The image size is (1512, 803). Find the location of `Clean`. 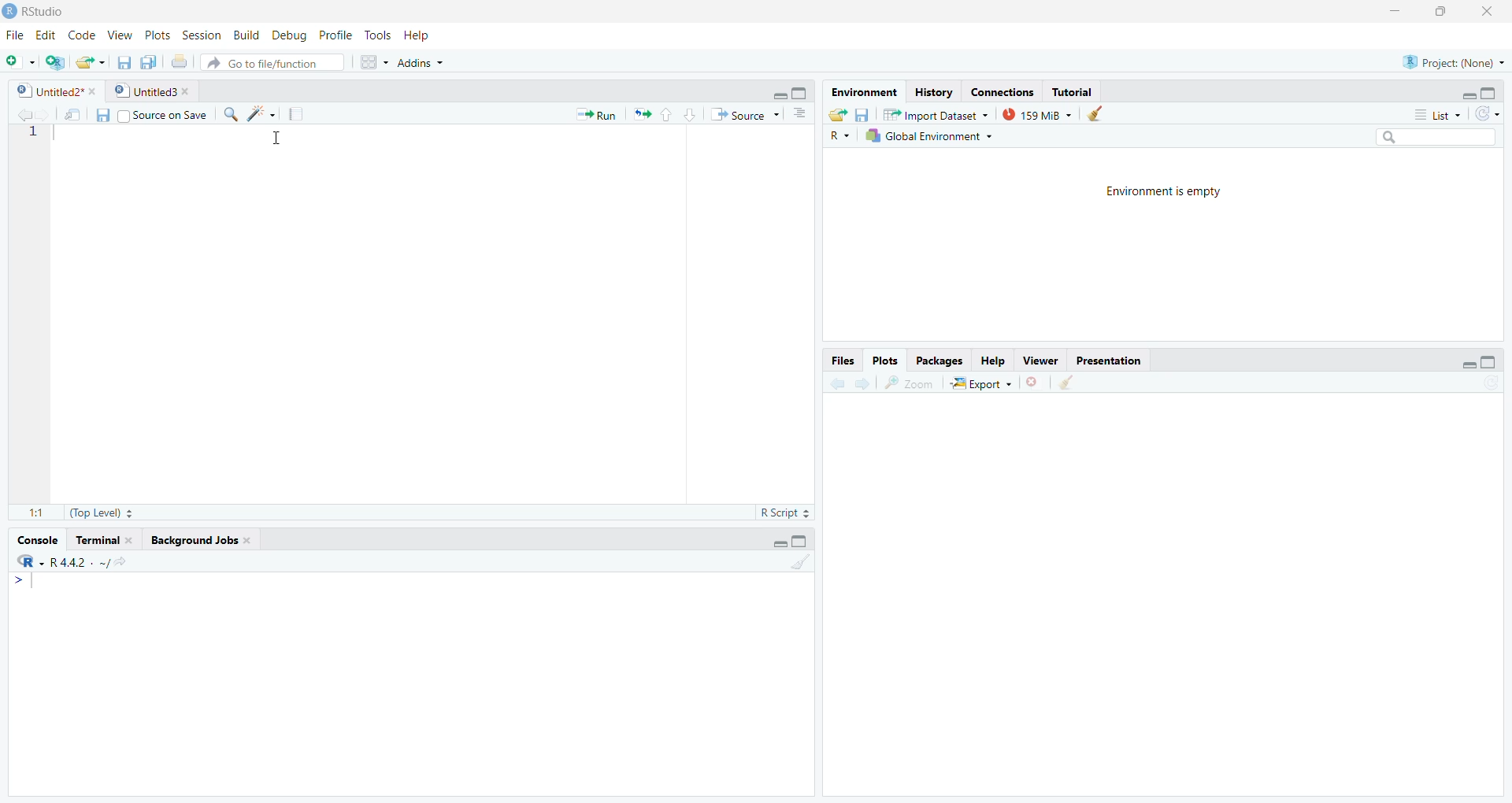

Clean is located at coordinates (1065, 382).